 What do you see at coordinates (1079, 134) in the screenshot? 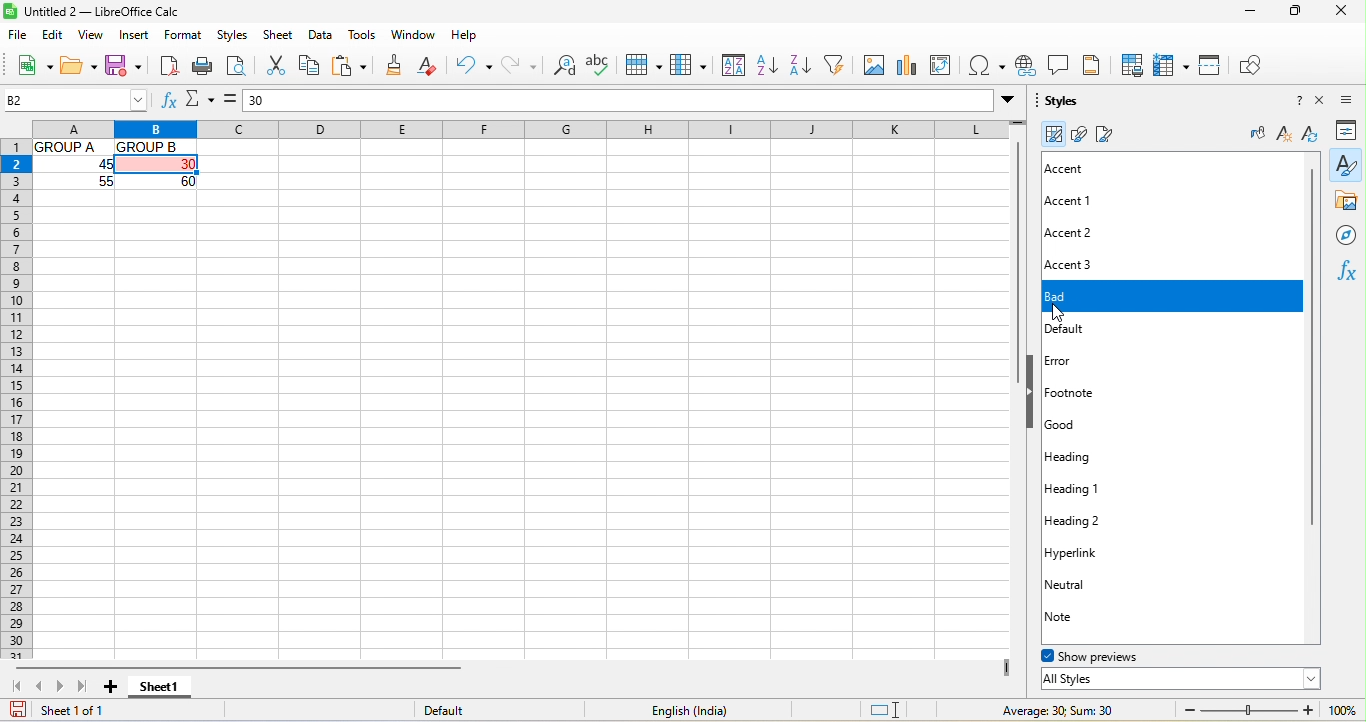
I see `drawing style` at bounding box center [1079, 134].